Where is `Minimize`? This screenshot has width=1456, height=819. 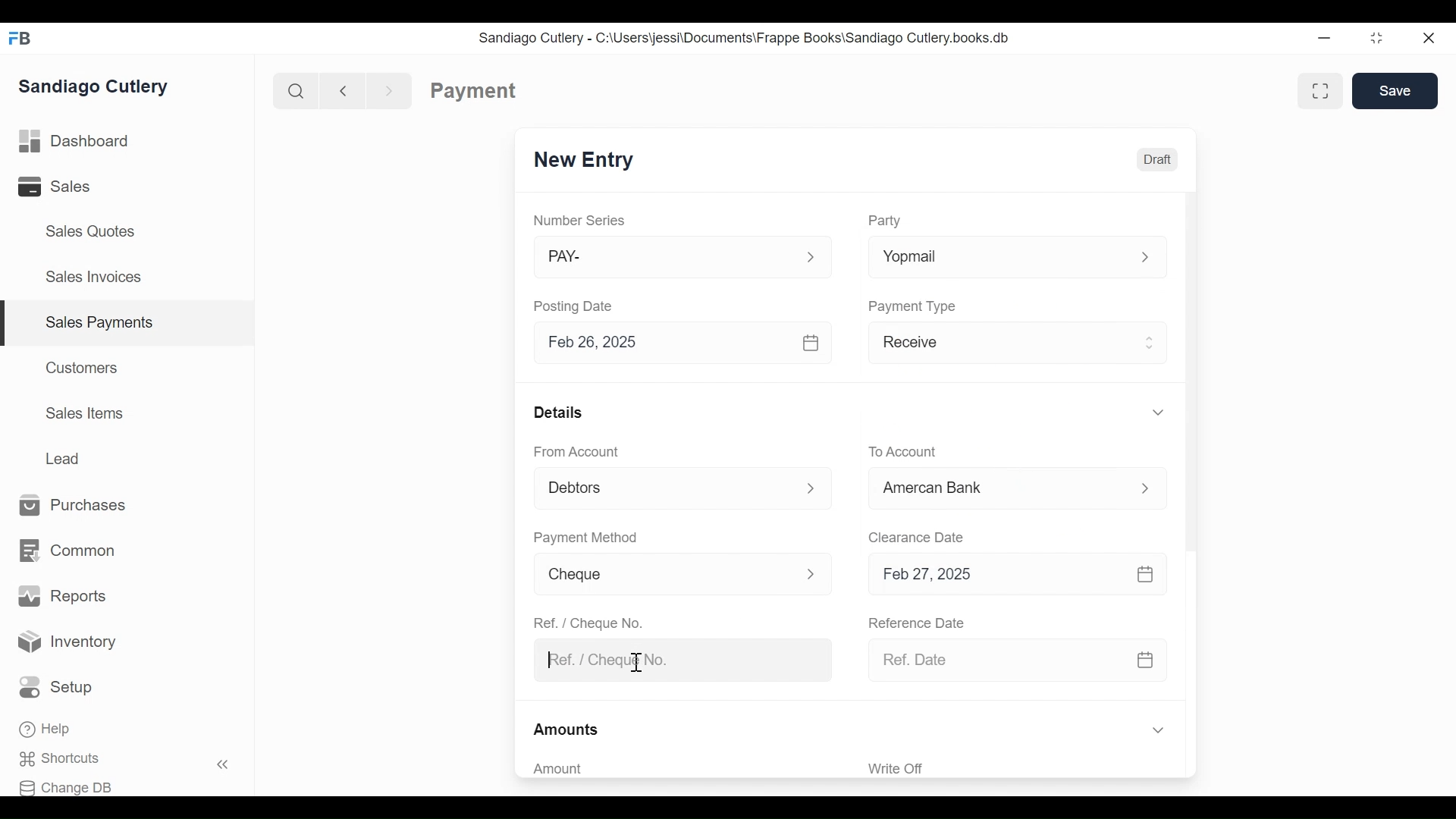
Minimize is located at coordinates (1324, 39).